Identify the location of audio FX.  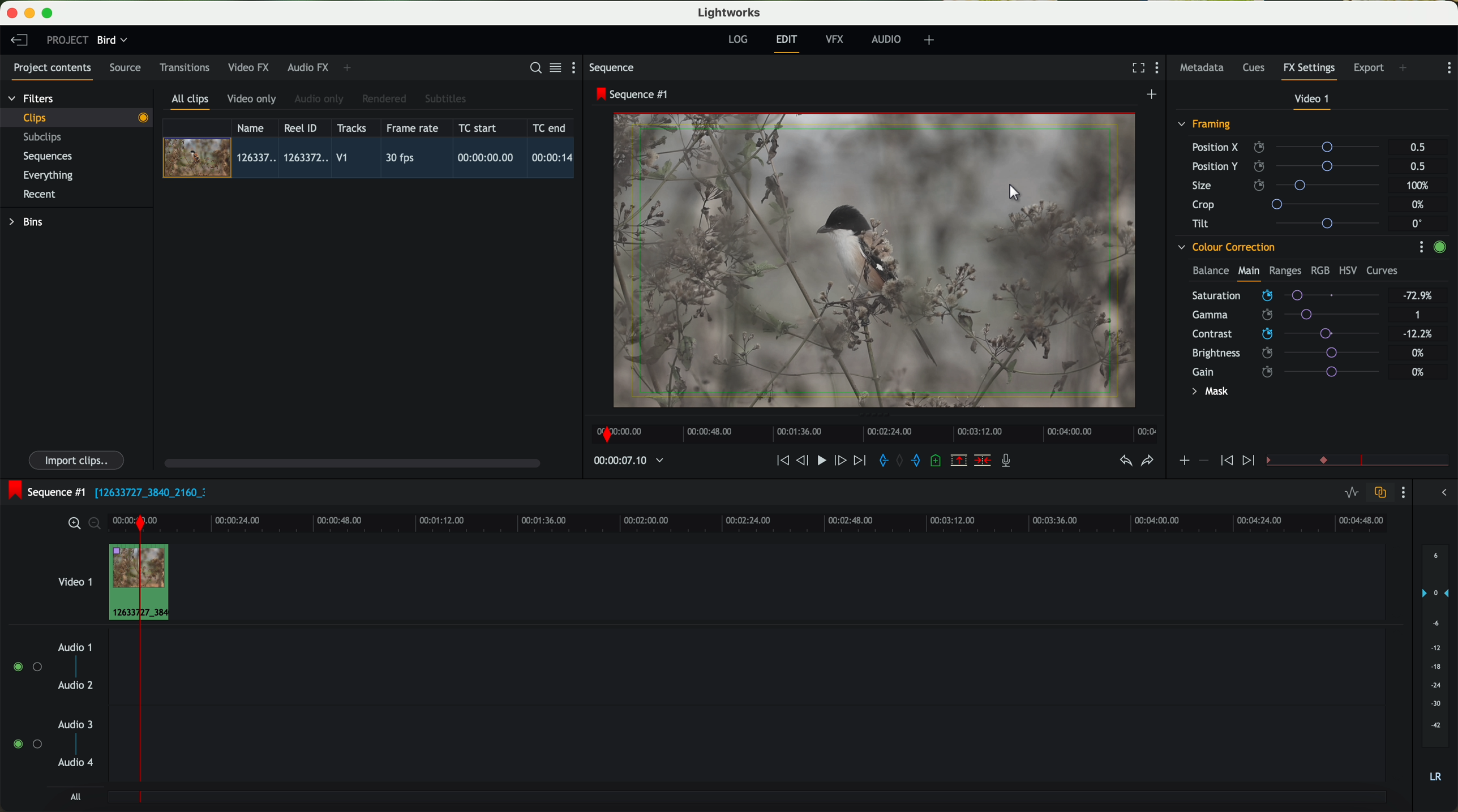
(308, 67).